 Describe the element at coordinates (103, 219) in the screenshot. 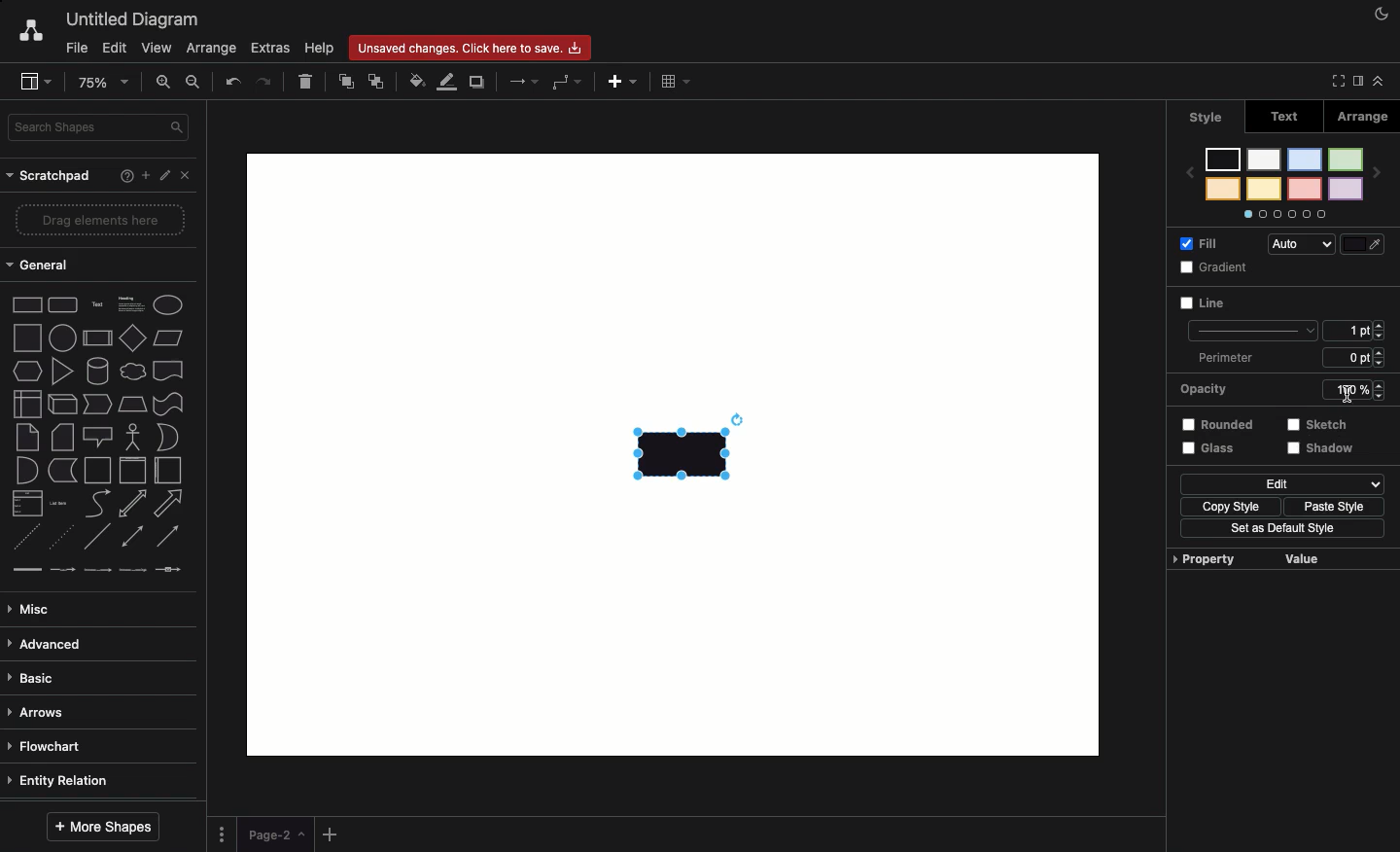

I see `Drag elements here` at that location.